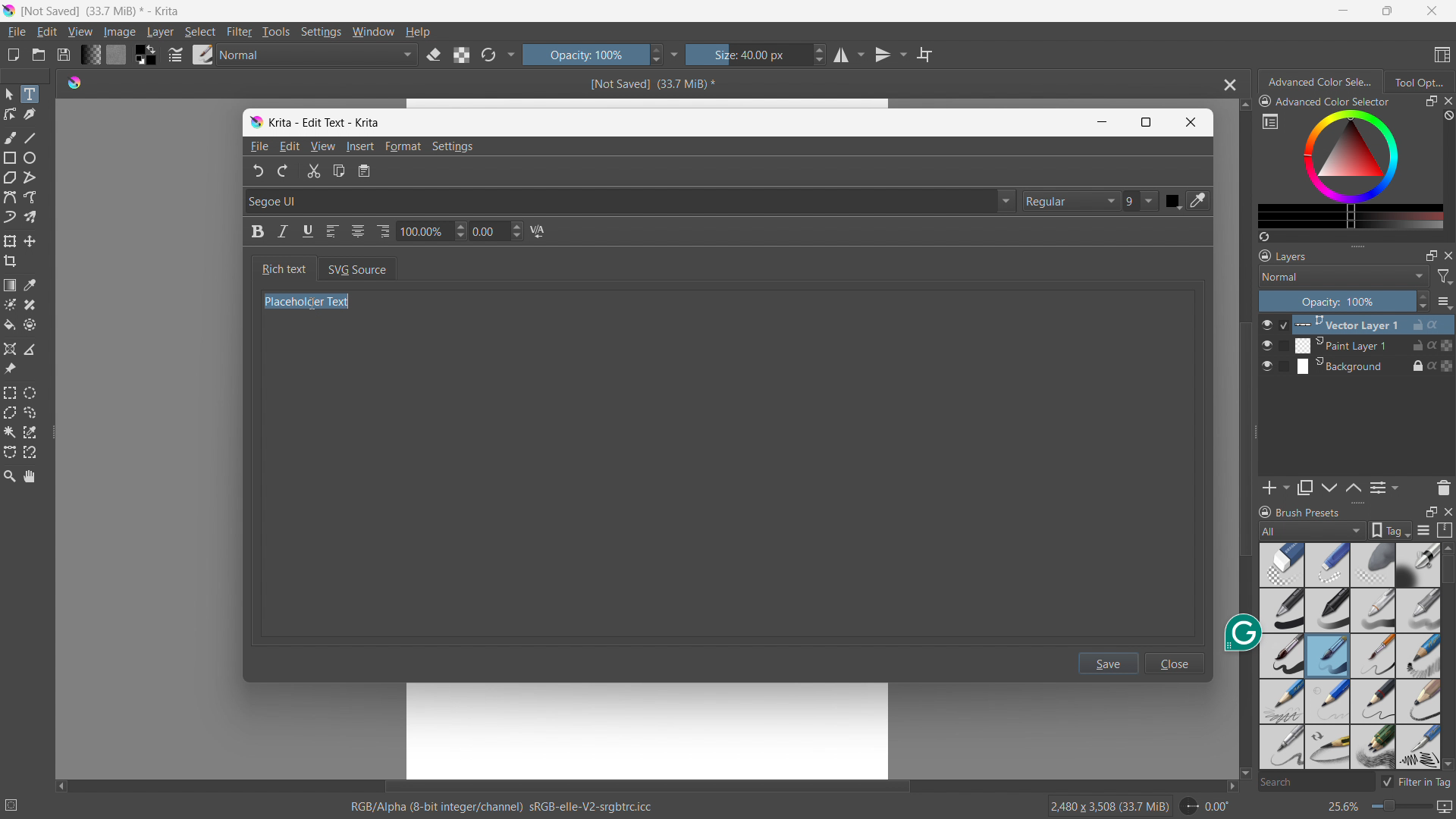  I want to click on not saved (33.5 MB)* - Krita, so click(104, 10).